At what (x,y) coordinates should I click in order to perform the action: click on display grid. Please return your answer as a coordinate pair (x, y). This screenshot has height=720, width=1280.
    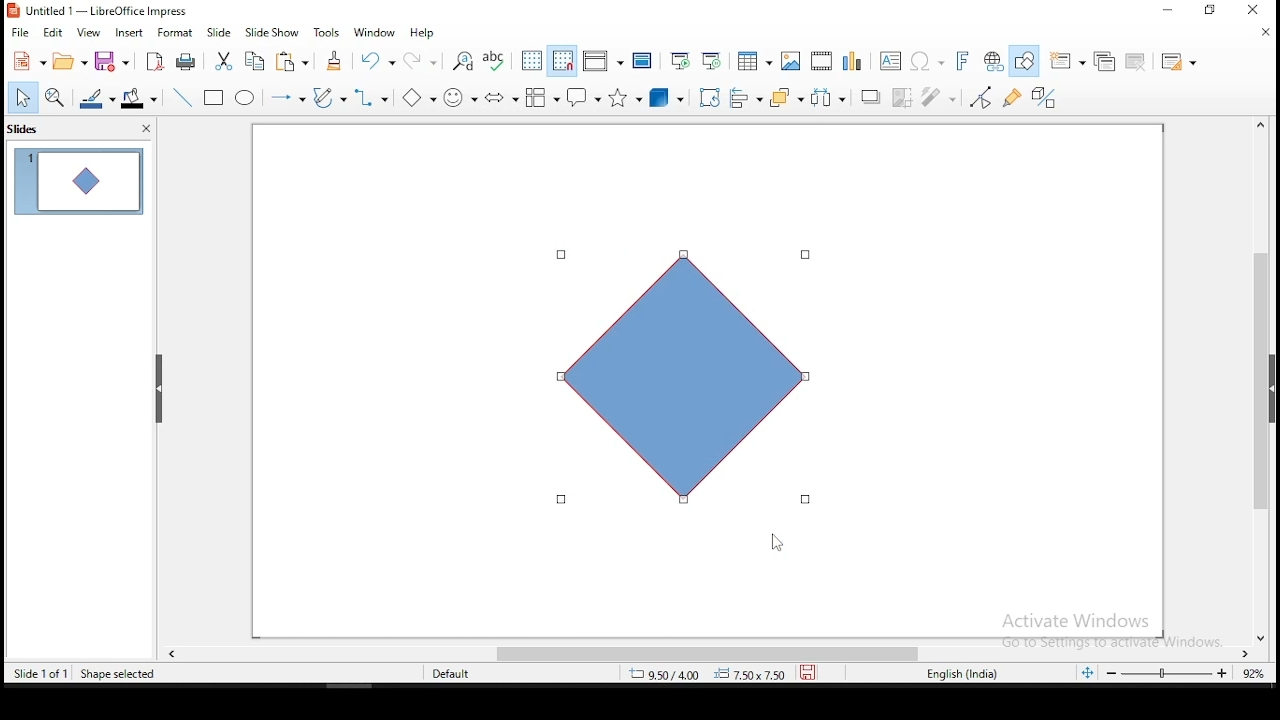
    Looking at the image, I should click on (532, 61).